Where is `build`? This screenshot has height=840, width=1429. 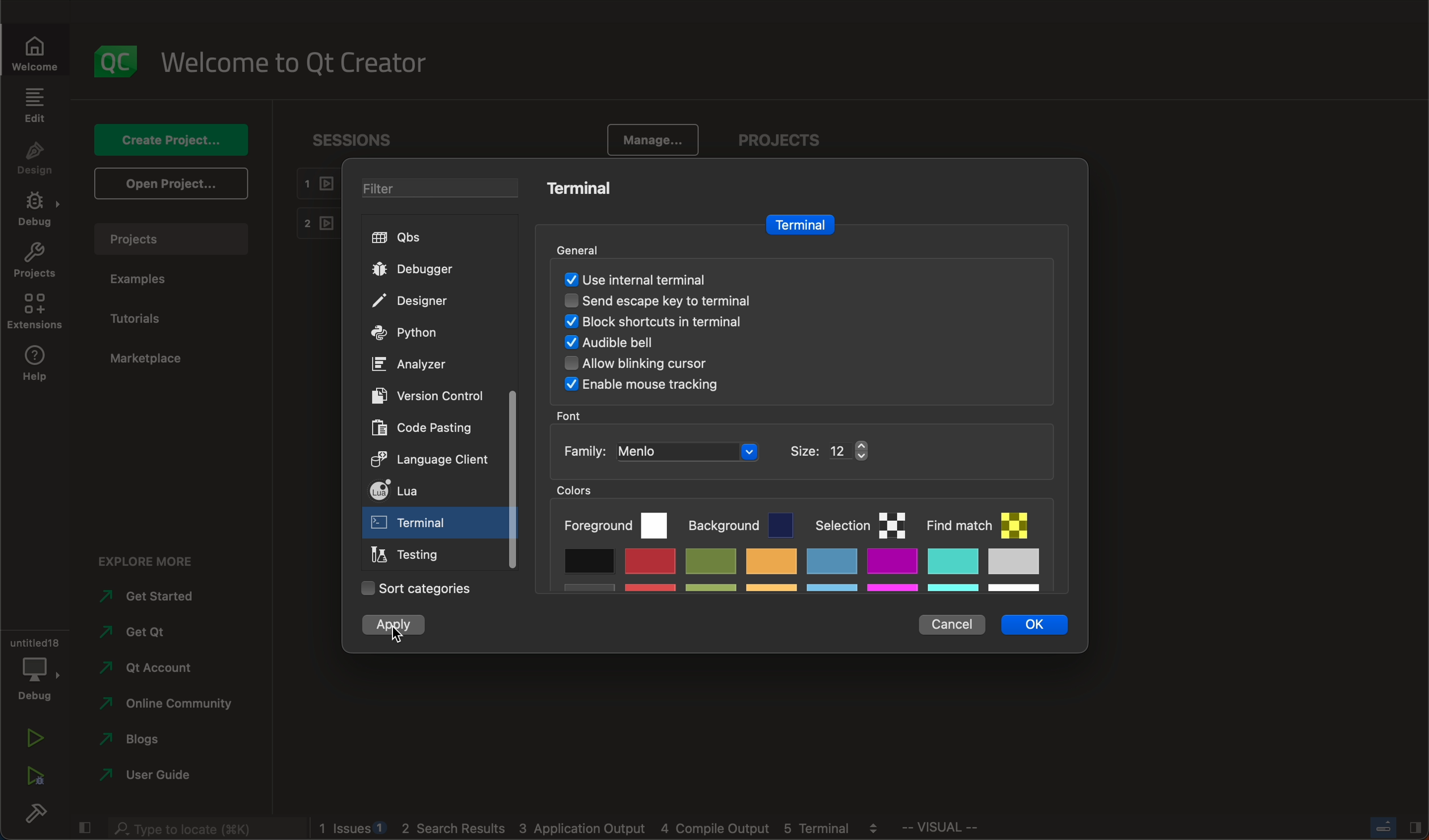 build is located at coordinates (33, 817).